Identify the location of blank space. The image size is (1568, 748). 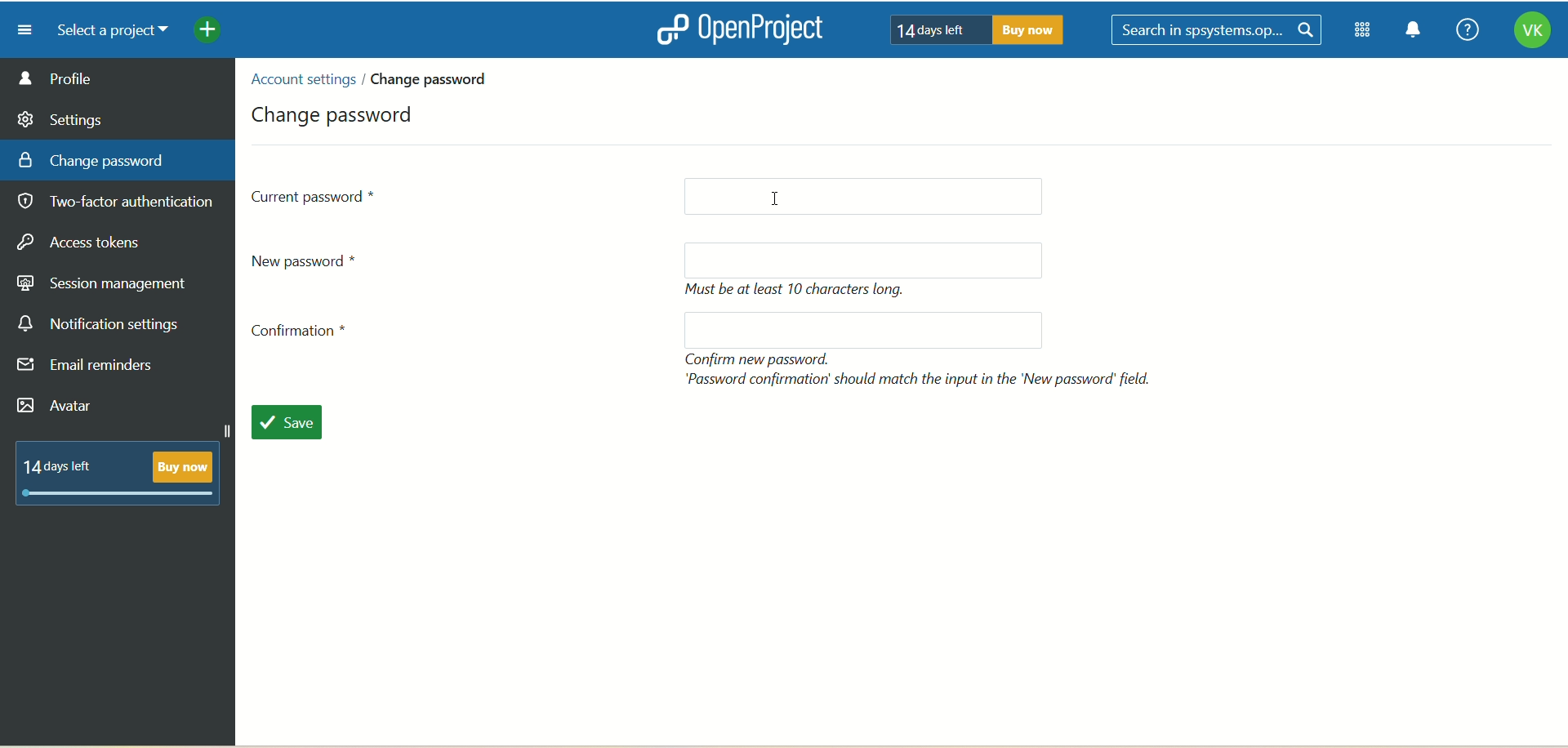
(855, 330).